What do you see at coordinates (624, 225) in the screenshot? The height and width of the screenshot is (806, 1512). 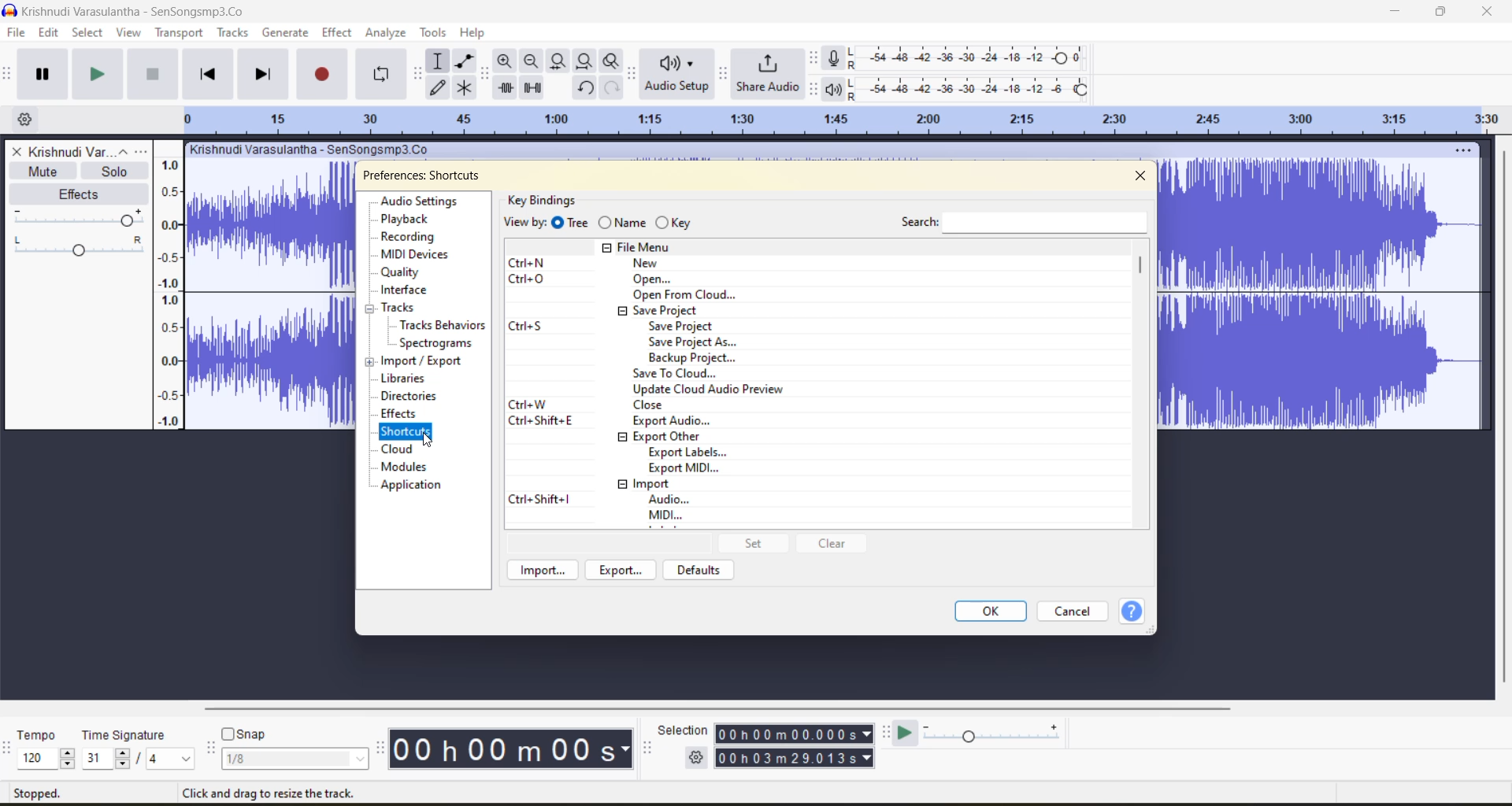 I see `name` at bounding box center [624, 225].